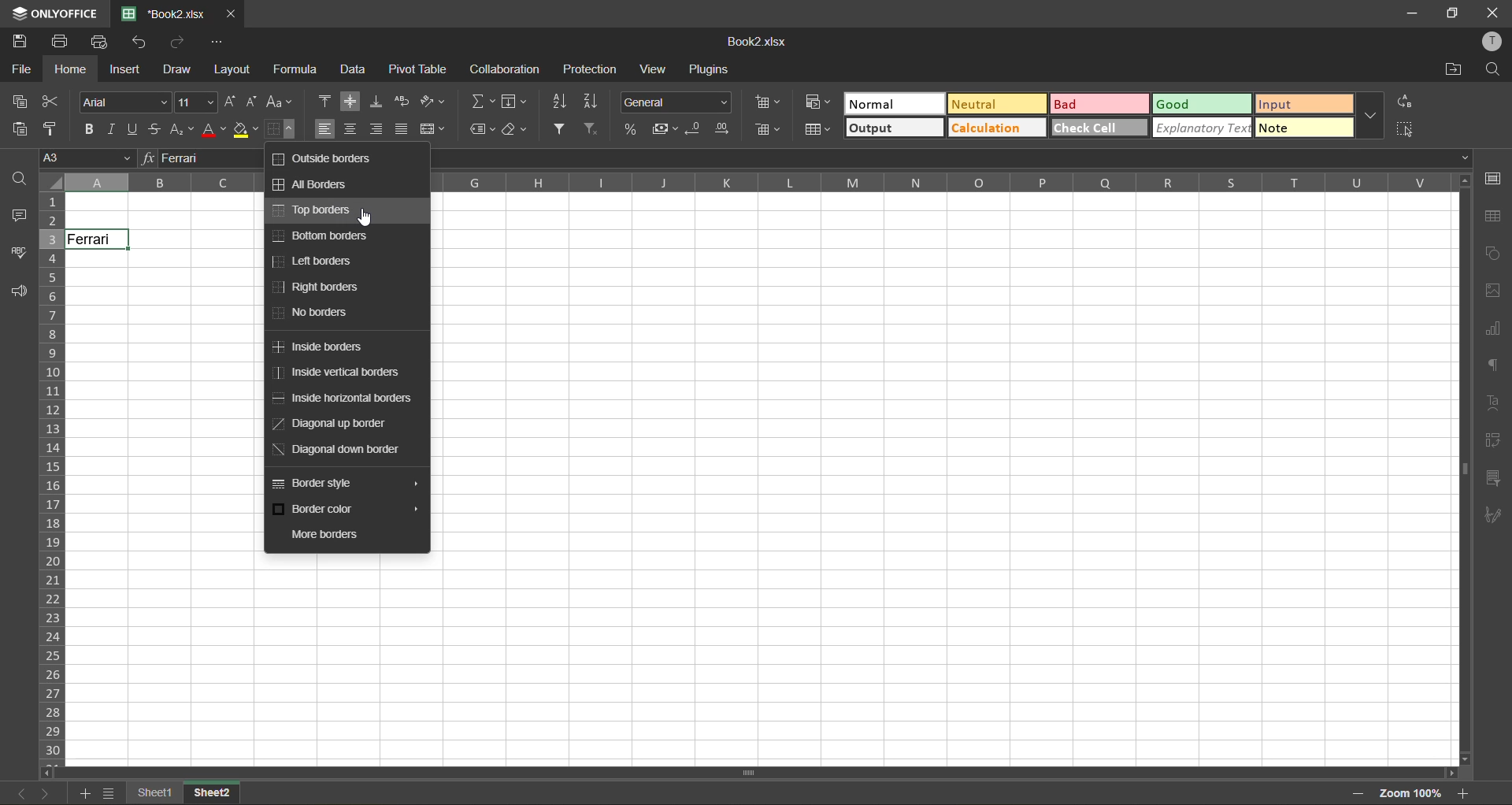 Image resolution: width=1512 pixels, height=805 pixels. Describe the element at coordinates (134, 130) in the screenshot. I see `underline` at that location.